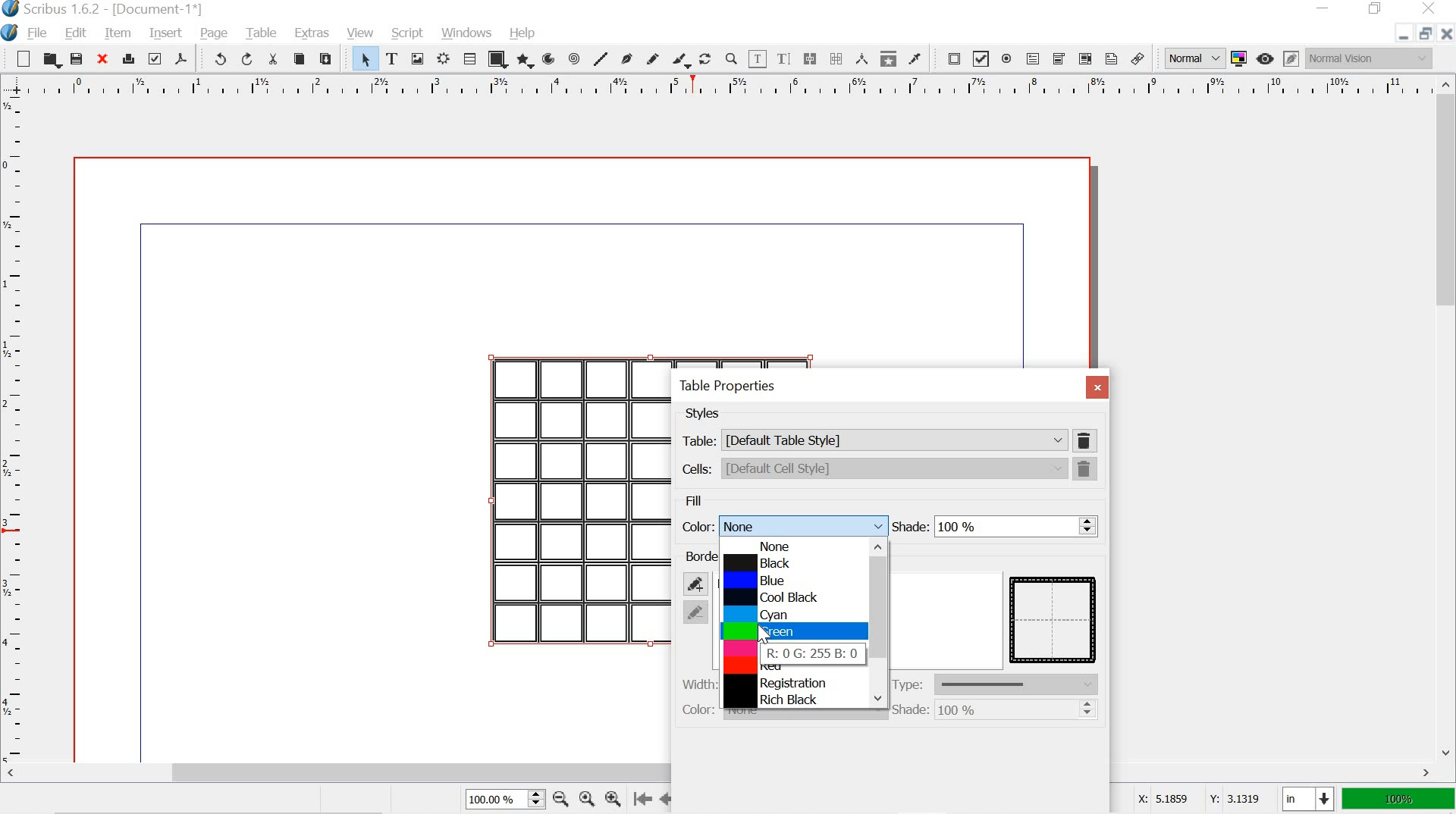  I want to click on table, so click(577, 502).